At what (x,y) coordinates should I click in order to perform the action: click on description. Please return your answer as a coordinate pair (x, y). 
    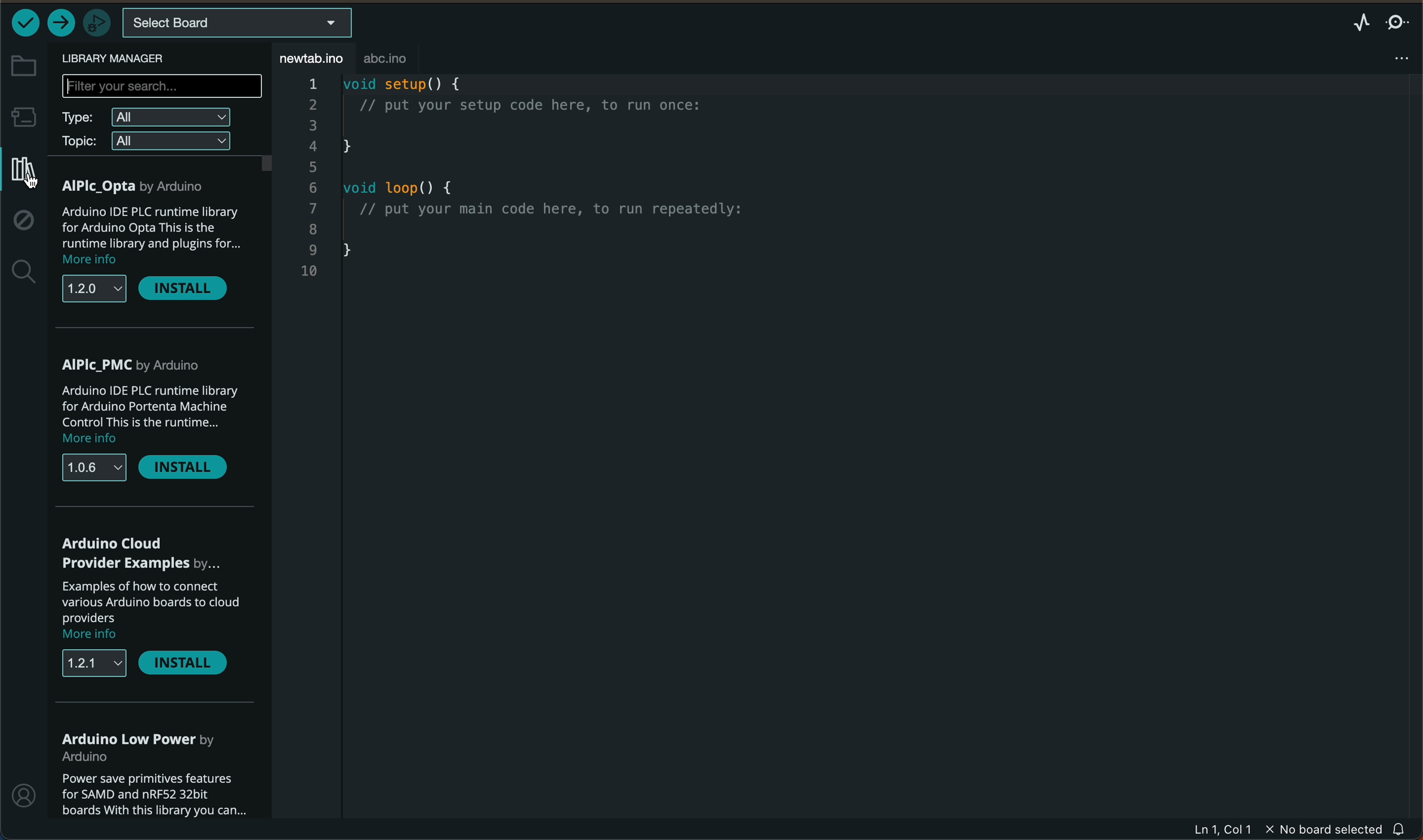
    Looking at the image, I should click on (154, 415).